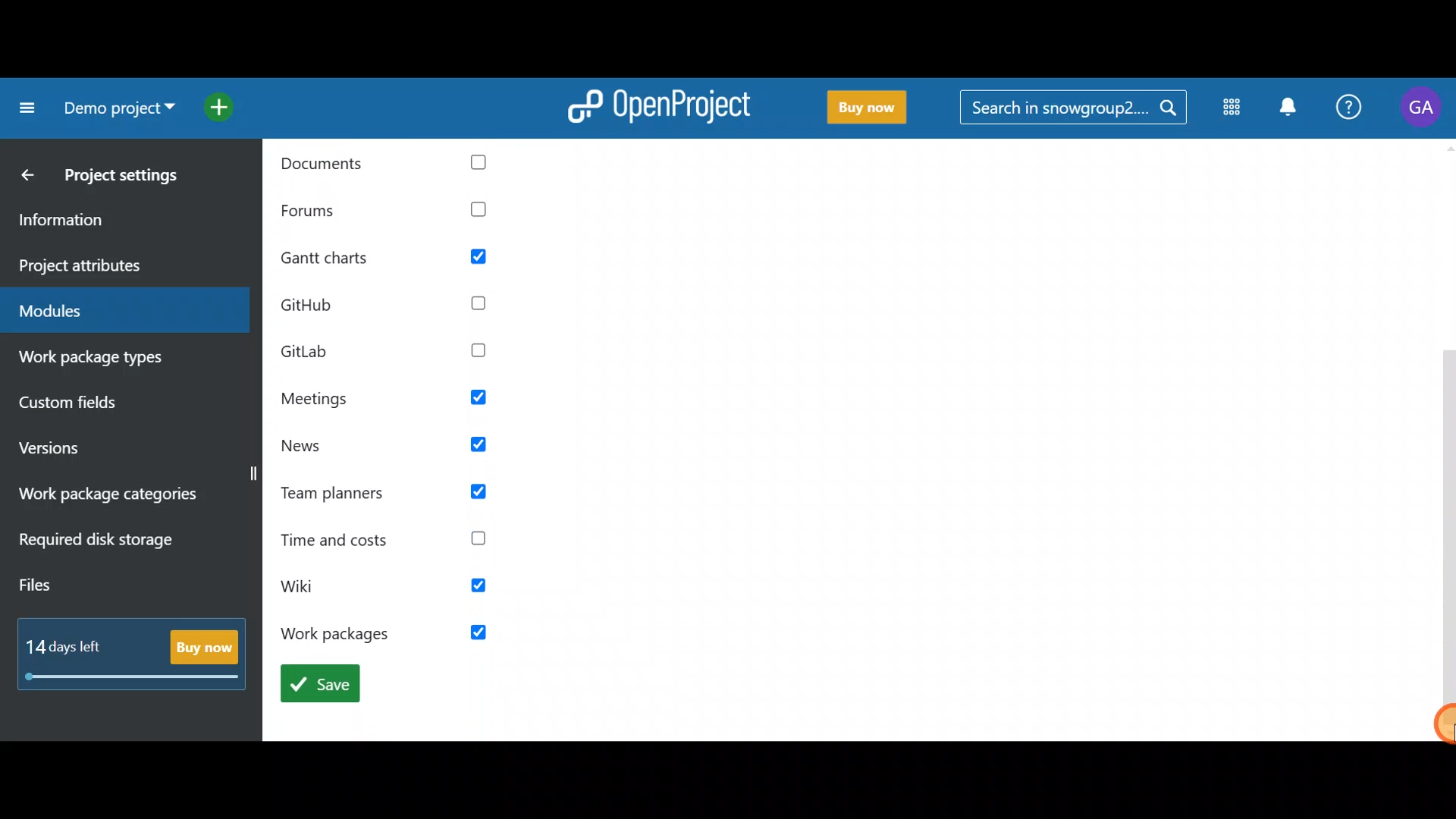  I want to click on Required disk storage, so click(112, 548).